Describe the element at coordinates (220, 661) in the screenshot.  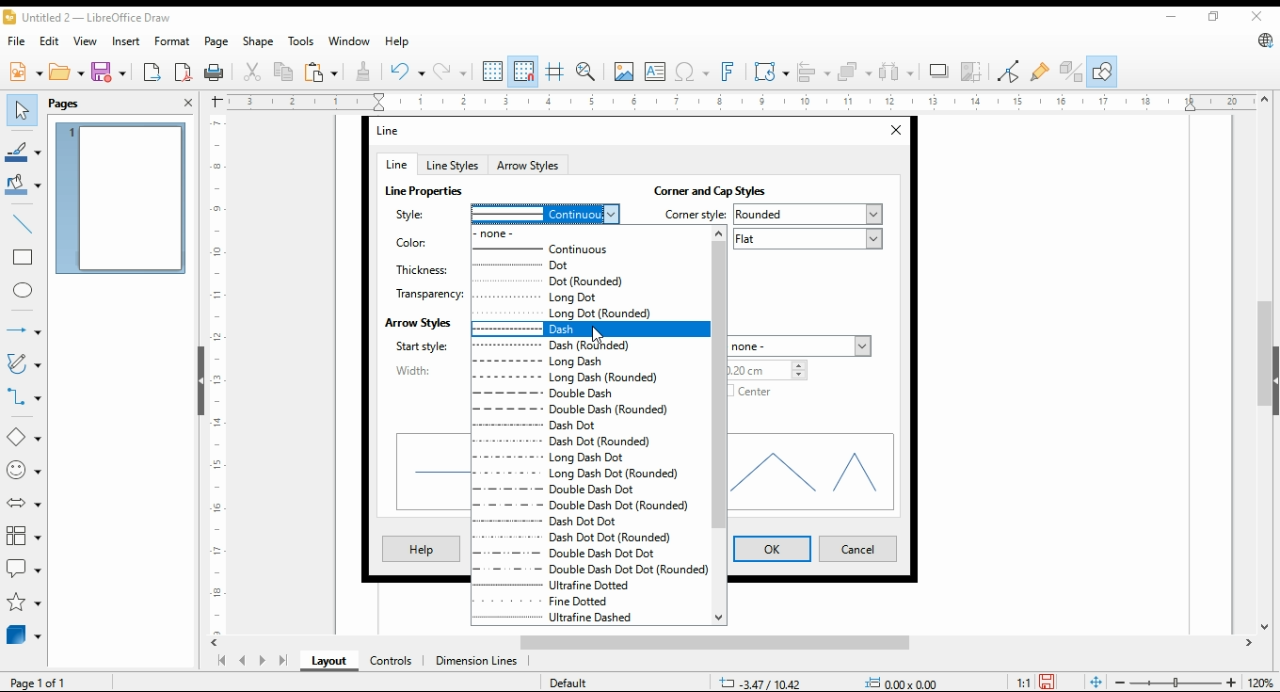
I see `first page` at that location.